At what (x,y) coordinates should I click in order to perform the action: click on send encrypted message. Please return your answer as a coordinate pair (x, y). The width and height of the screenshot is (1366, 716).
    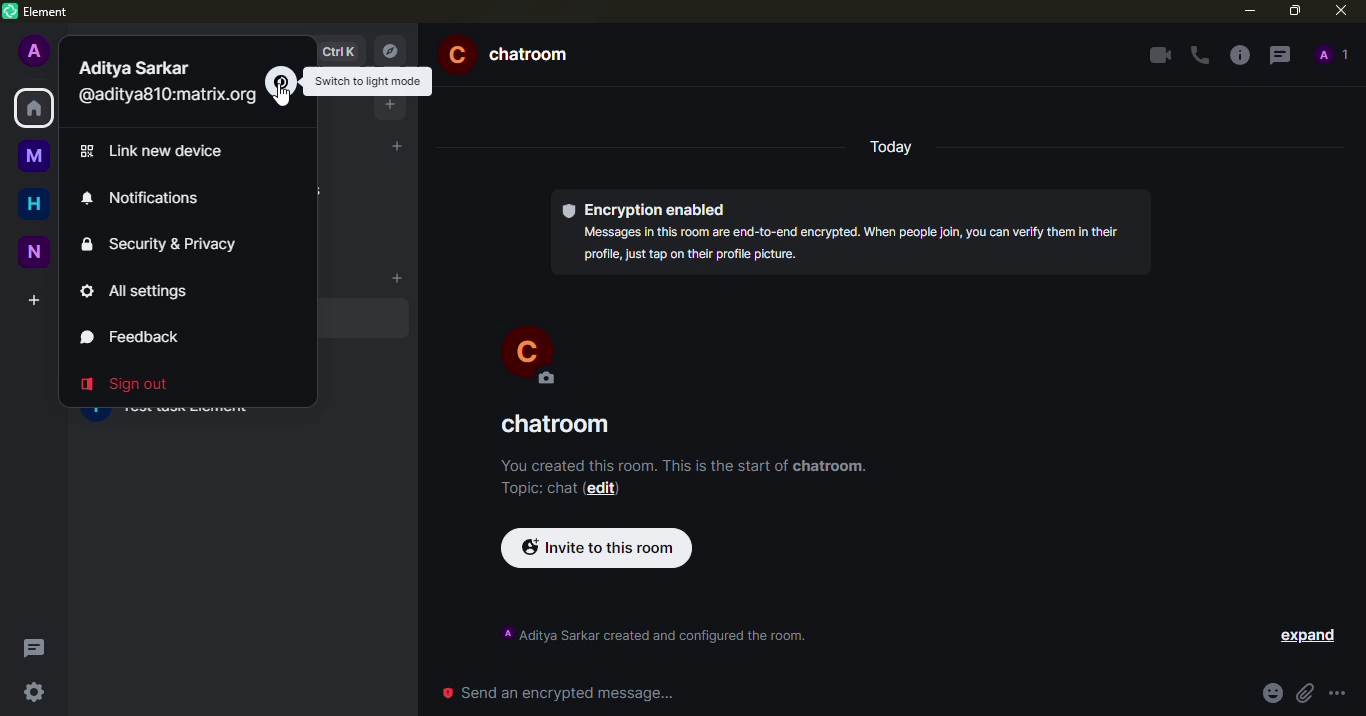
    Looking at the image, I should click on (557, 692).